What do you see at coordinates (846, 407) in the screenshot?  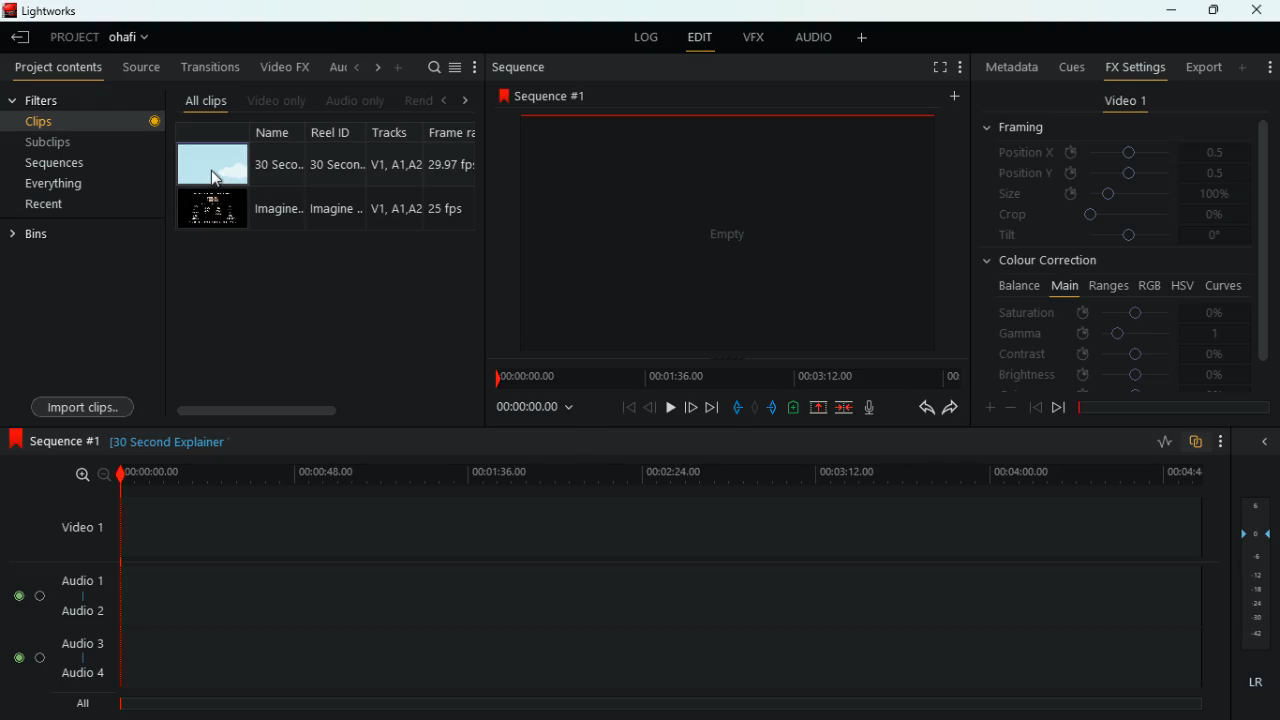 I see `join` at bounding box center [846, 407].